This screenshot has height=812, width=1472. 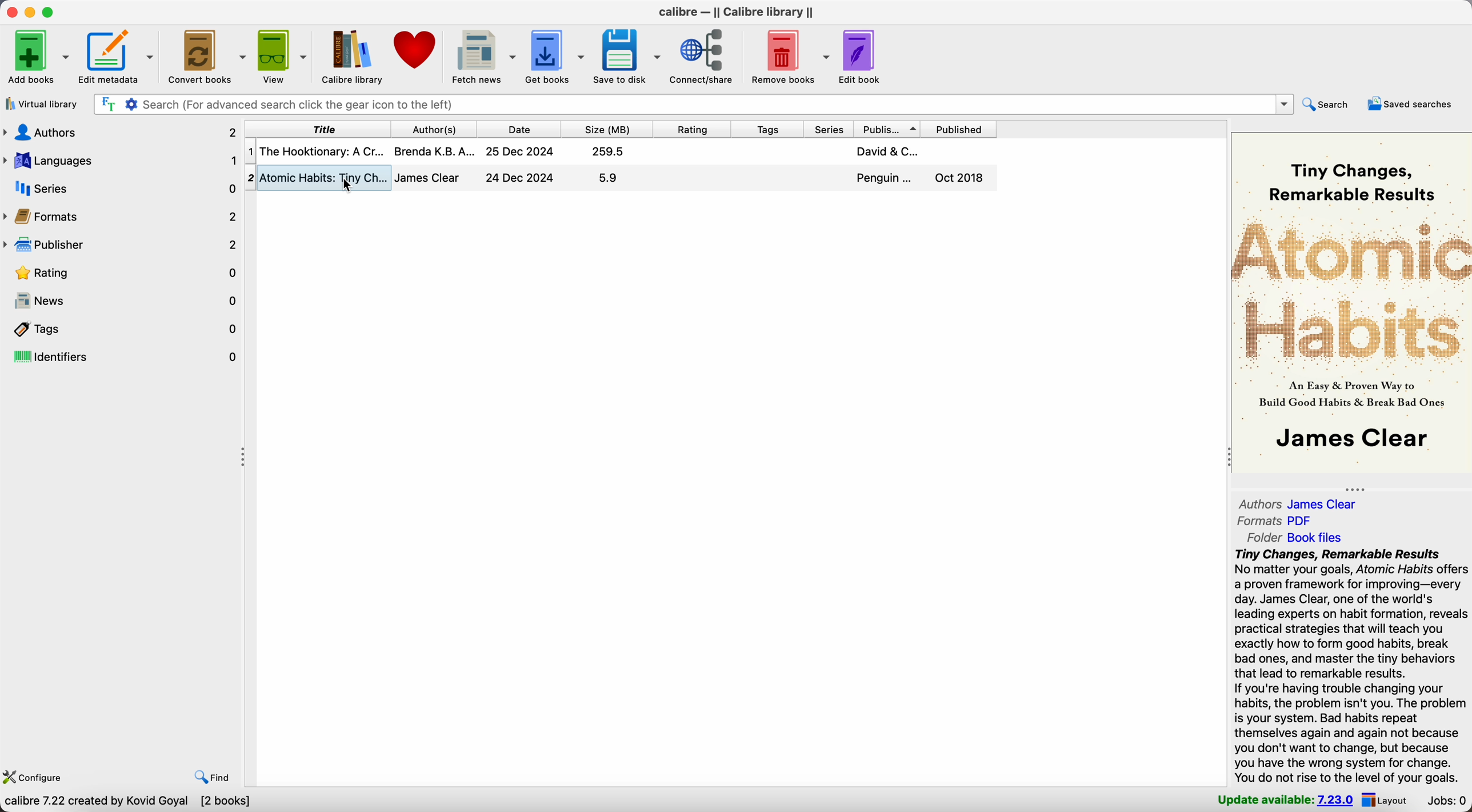 I want to click on Add books, so click(x=38, y=56).